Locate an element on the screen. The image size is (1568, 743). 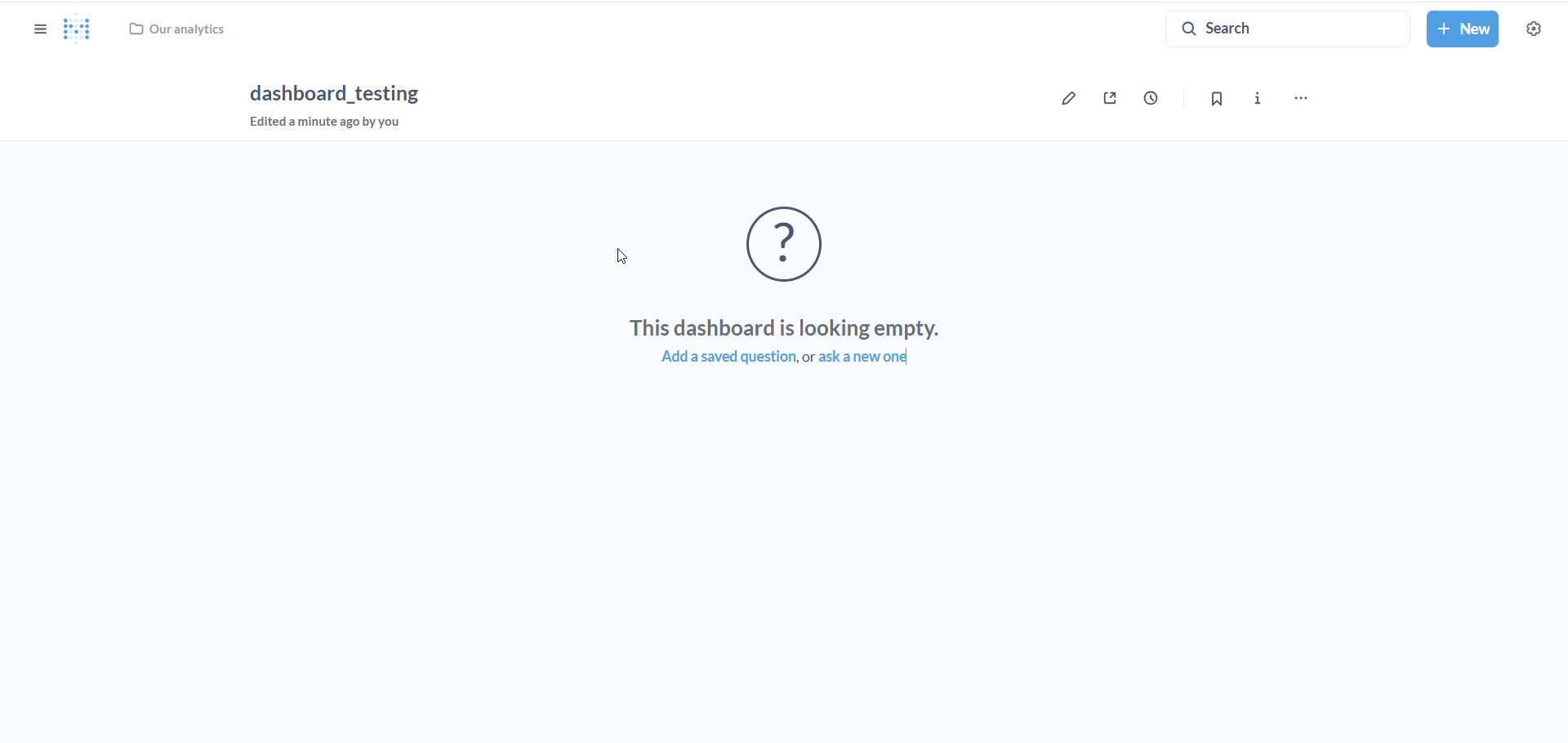
Add a saved question, or ask a new one is located at coordinates (785, 362).